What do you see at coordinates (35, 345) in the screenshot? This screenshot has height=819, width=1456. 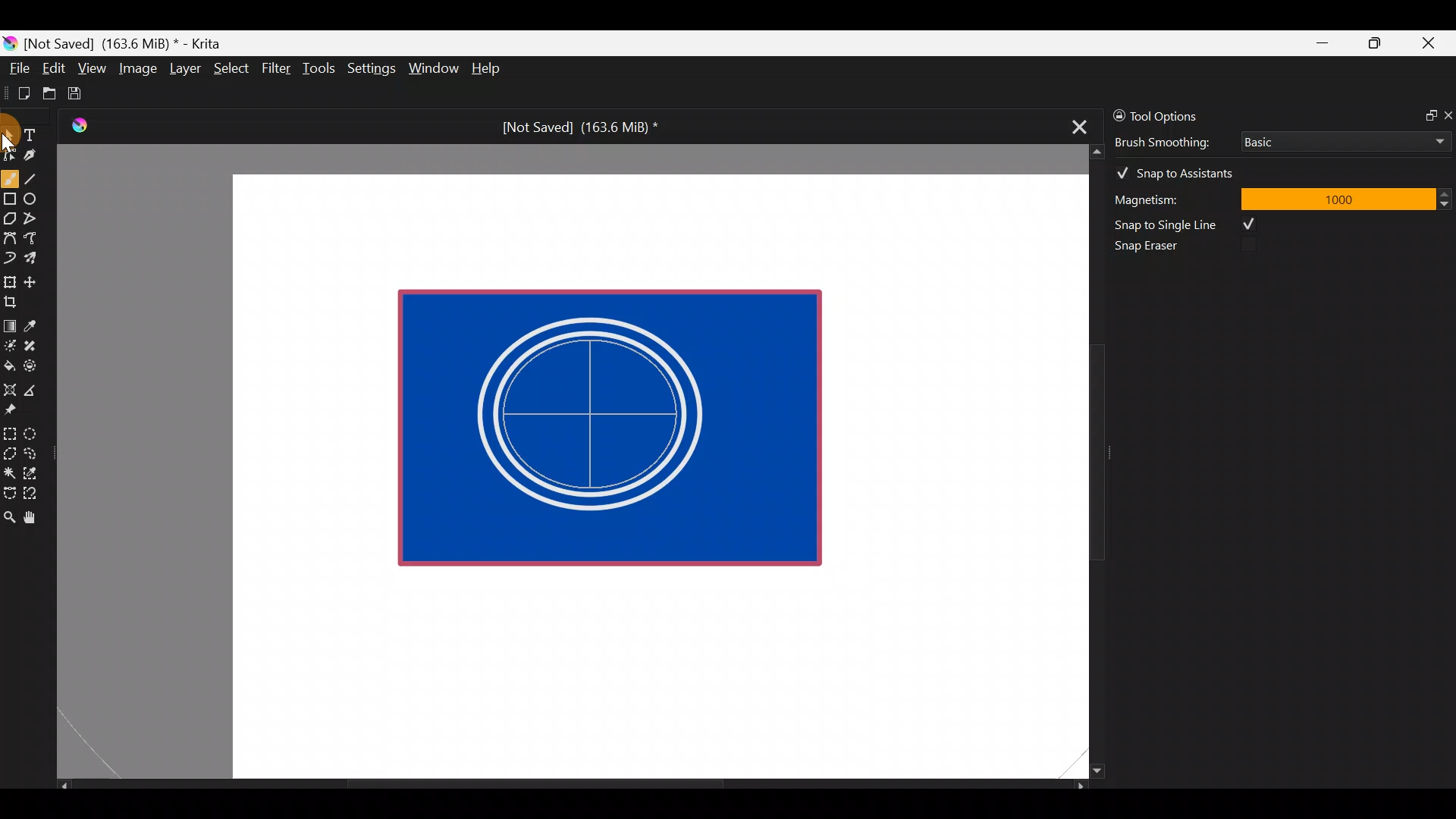 I see `Smart patch tool` at bounding box center [35, 345].